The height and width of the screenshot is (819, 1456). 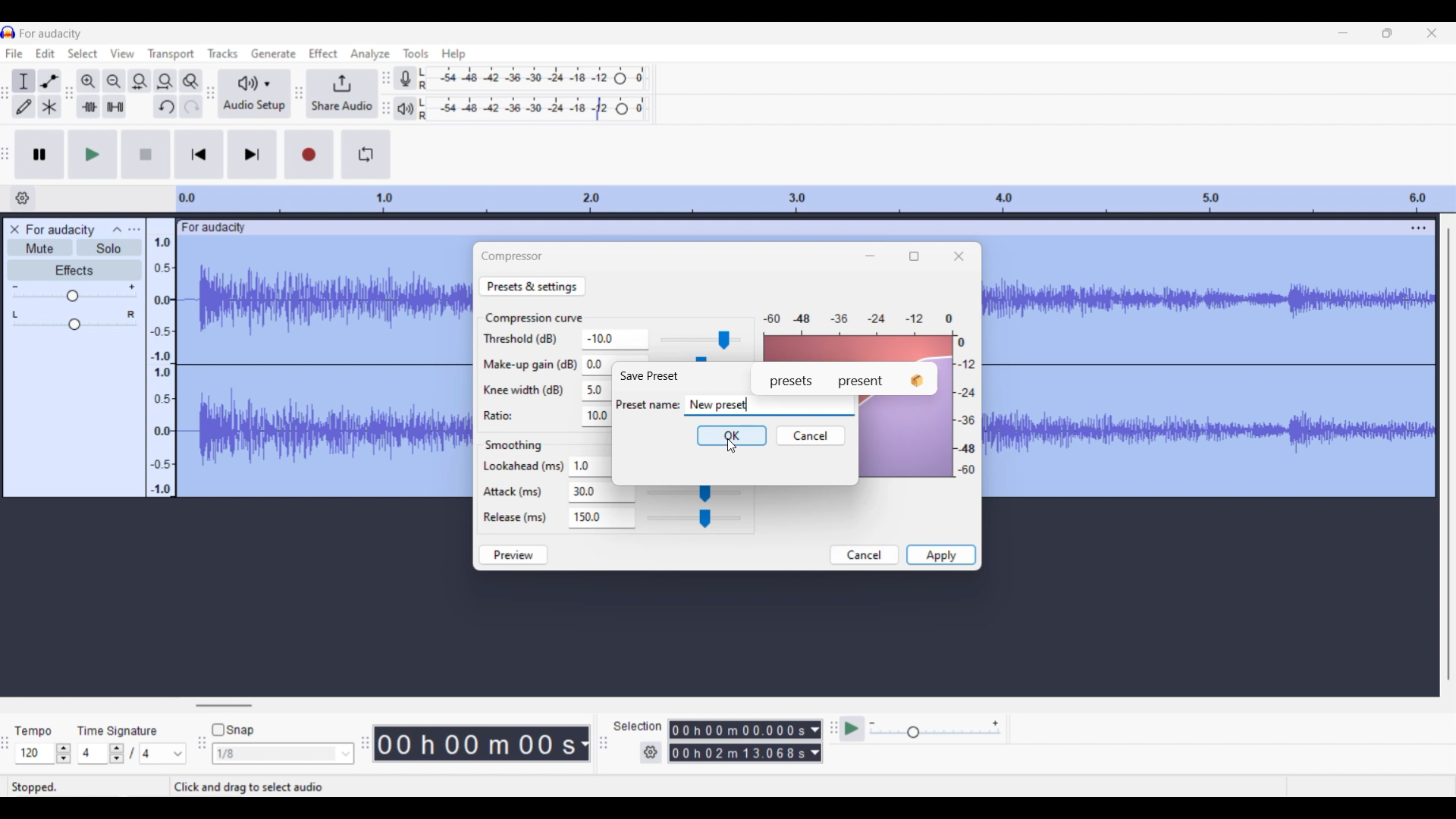 What do you see at coordinates (253, 93) in the screenshot?
I see `Audio setup` at bounding box center [253, 93].